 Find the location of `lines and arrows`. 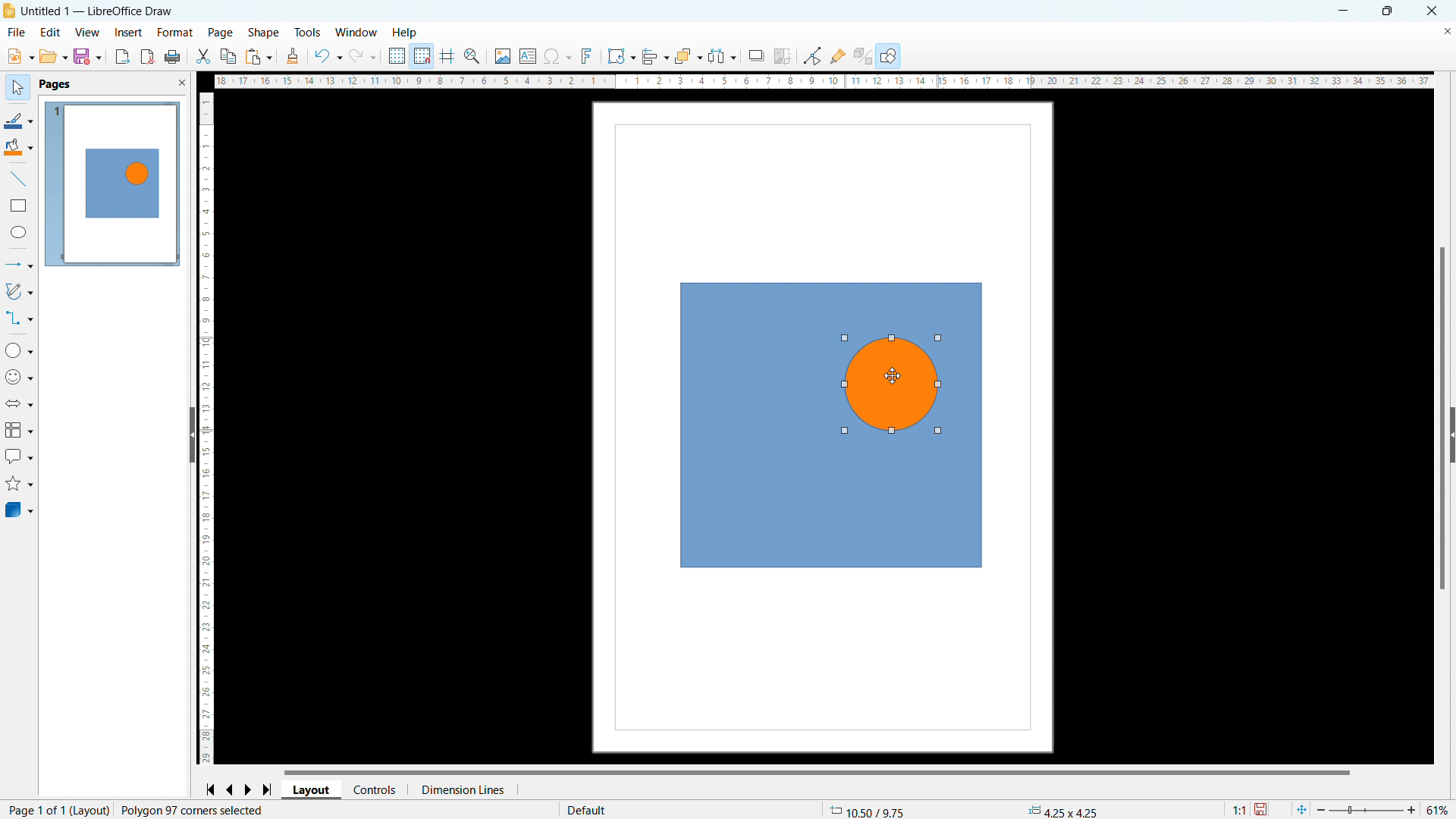

lines and arrows is located at coordinates (19, 265).